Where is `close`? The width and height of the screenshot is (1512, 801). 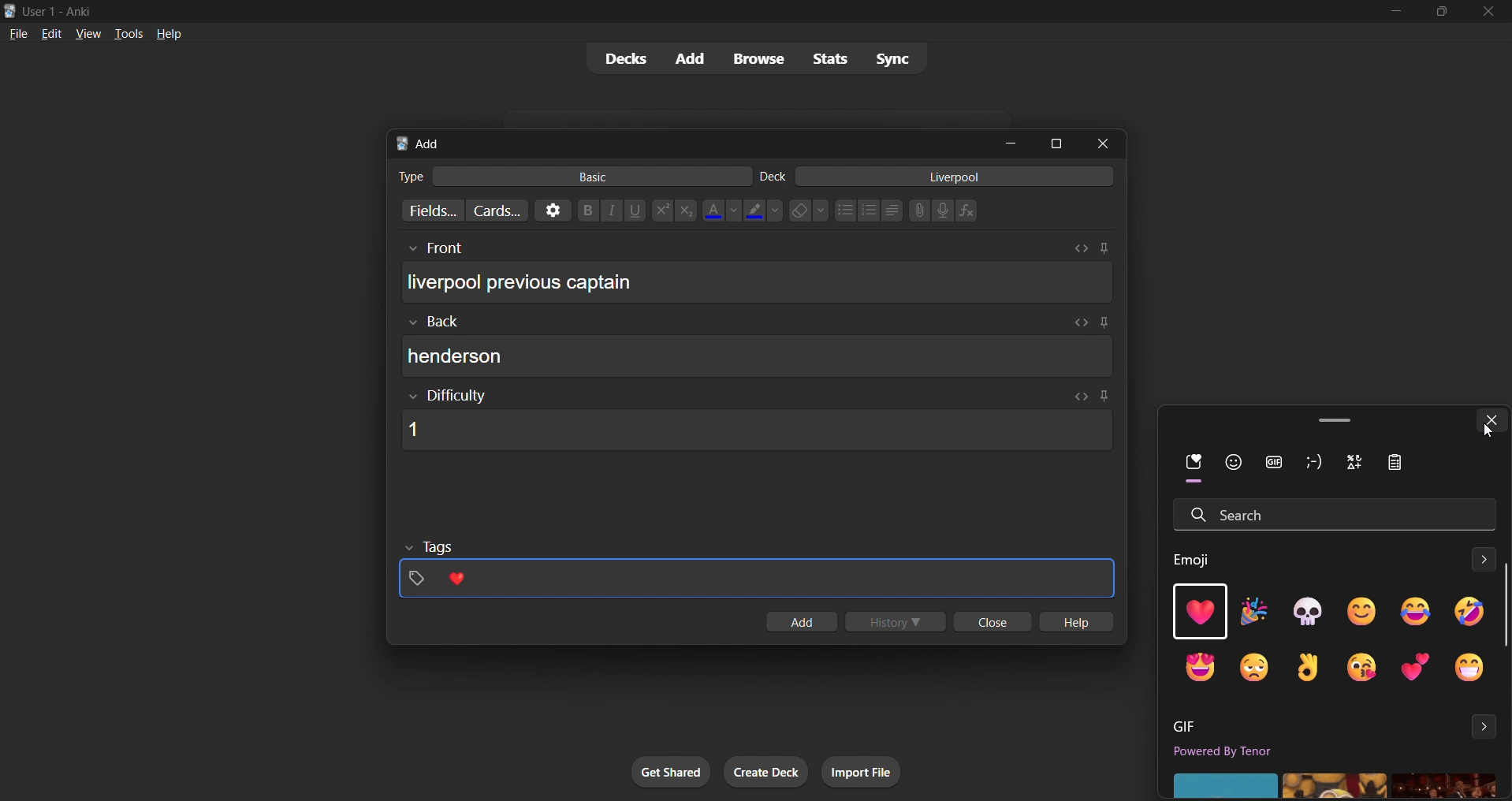
close is located at coordinates (1489, 12).